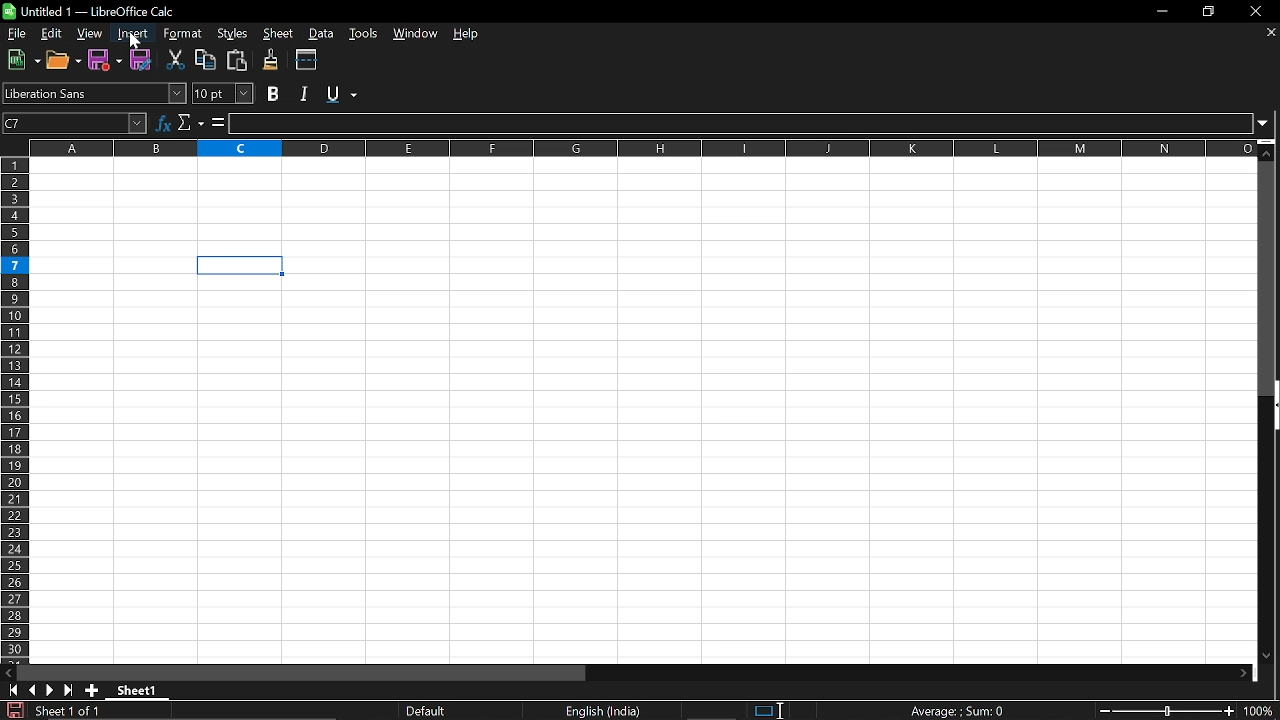  What do you see at coordinates (415, 34) in the screenshot?
I see `Window` at bounding box center [415, 34].